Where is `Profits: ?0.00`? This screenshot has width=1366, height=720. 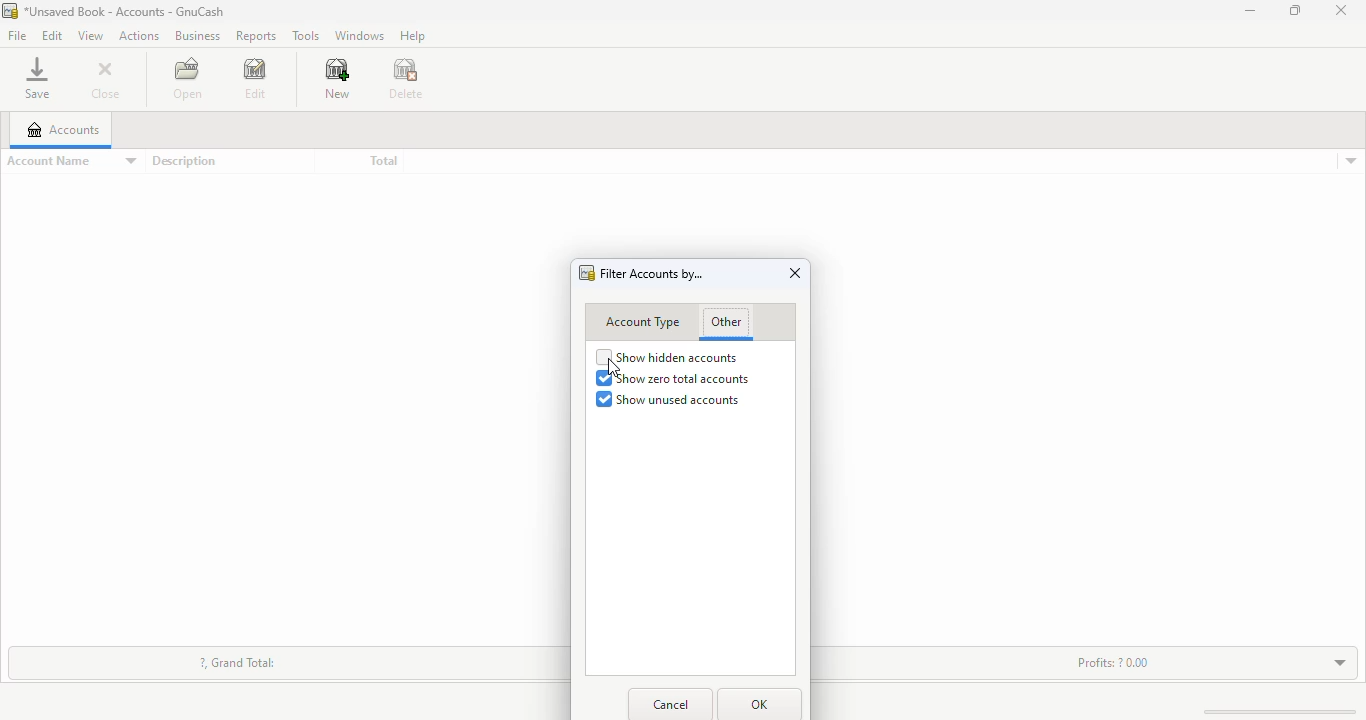
Profits: ?0.00 is located at coordinates (1113, 662).